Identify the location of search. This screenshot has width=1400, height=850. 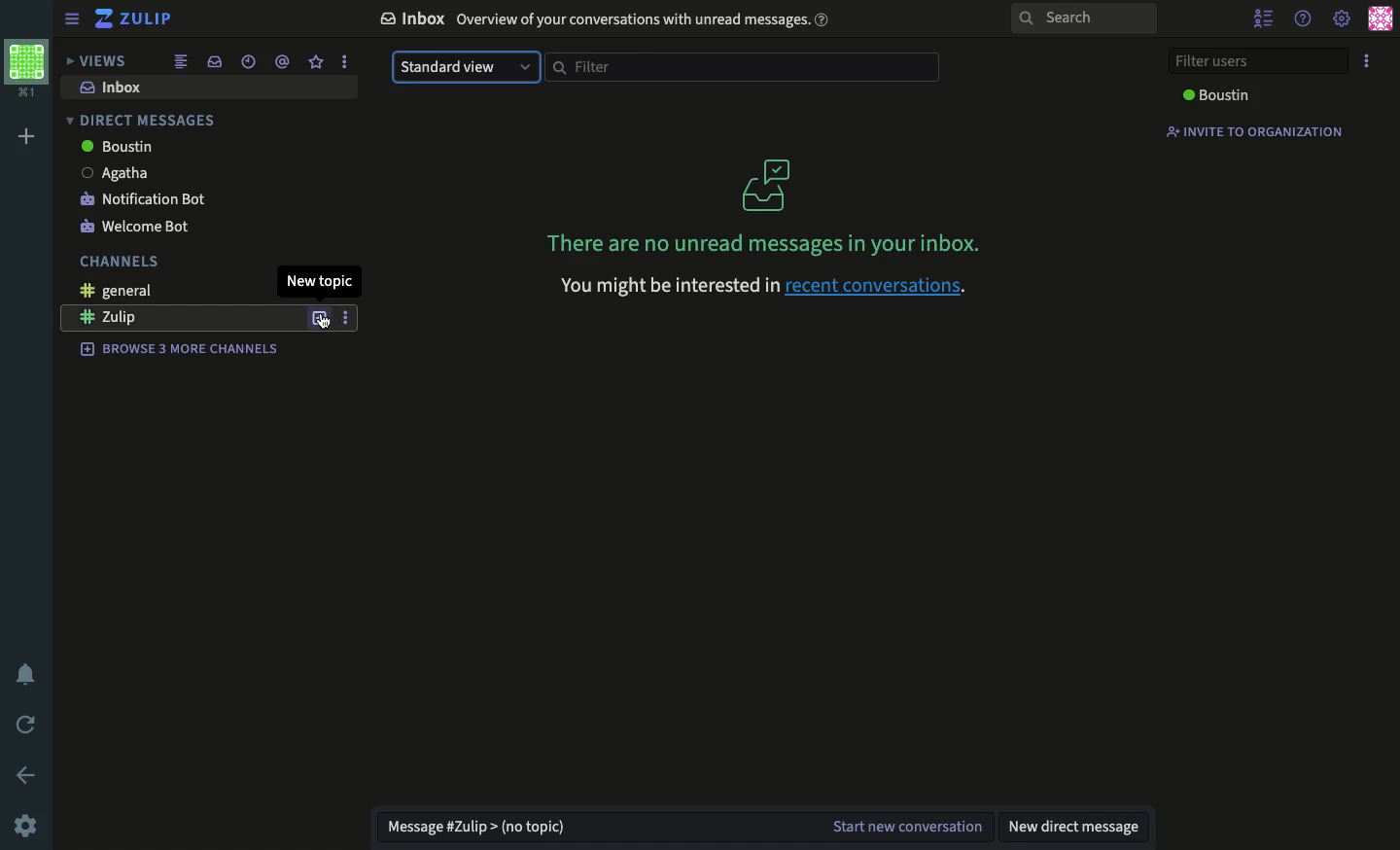
(1083, 19).